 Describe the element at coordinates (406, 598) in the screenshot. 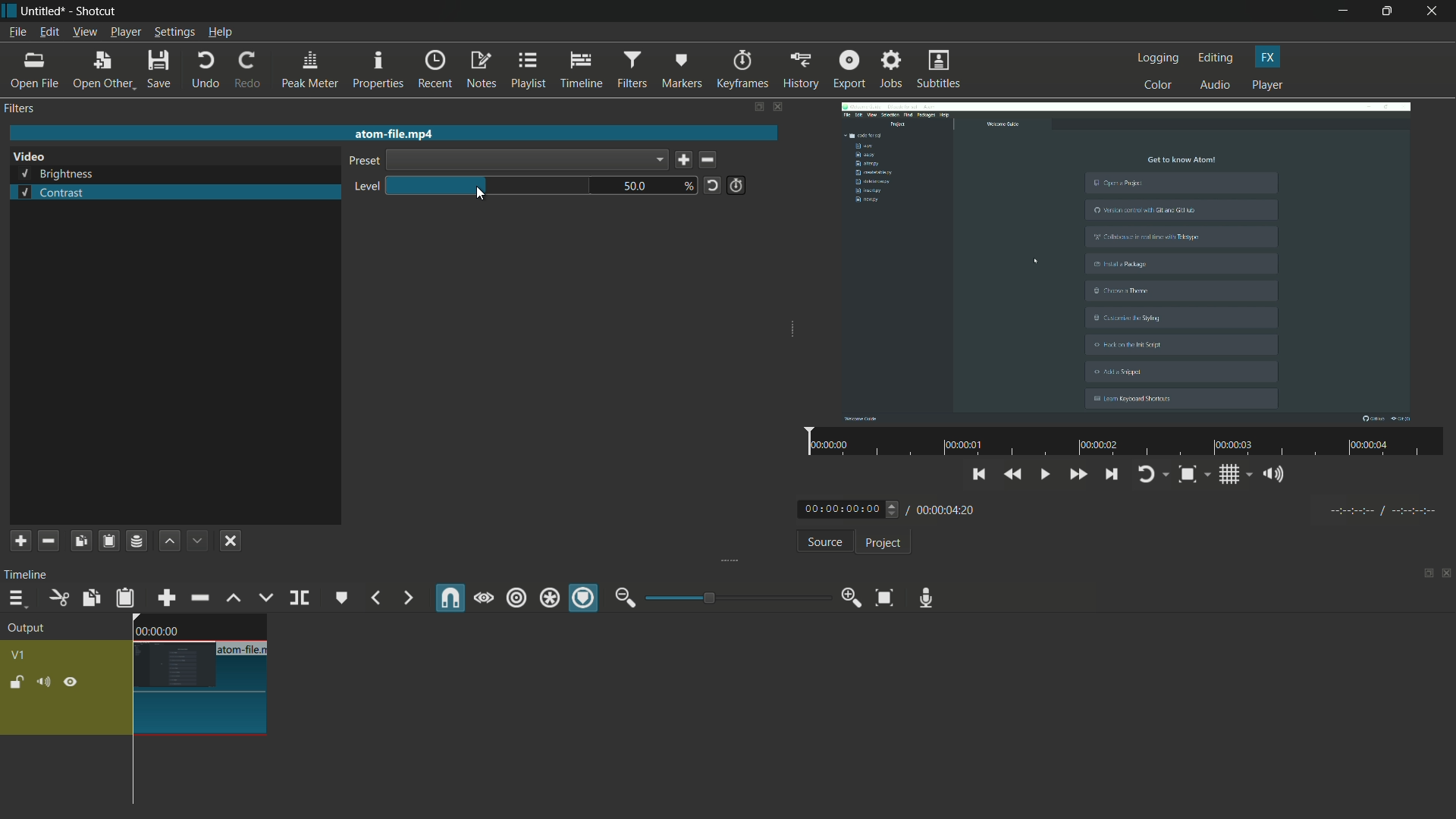

I see `next marker` at that location.